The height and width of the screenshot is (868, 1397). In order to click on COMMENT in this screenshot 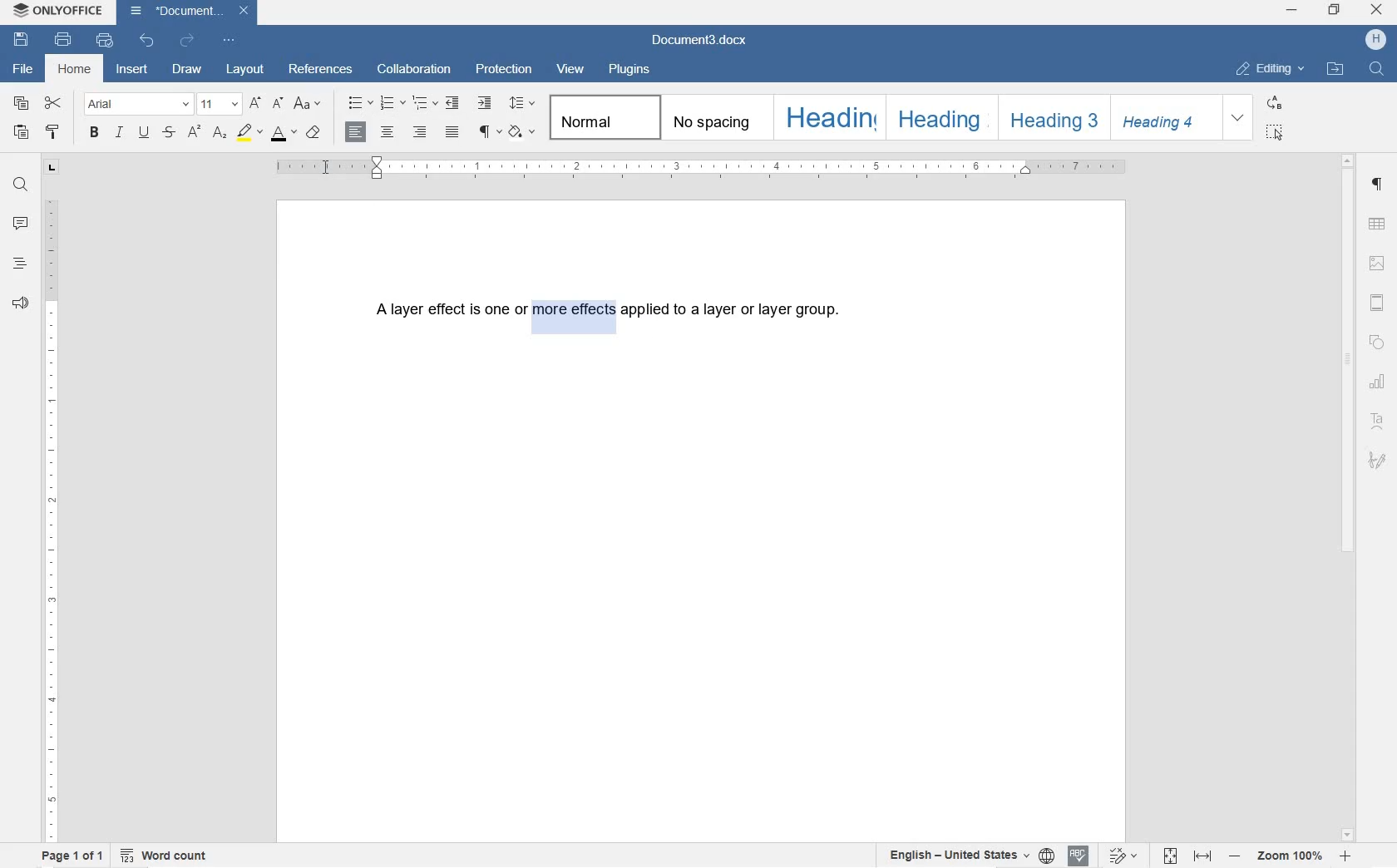, I will do `click(21, 225)`.